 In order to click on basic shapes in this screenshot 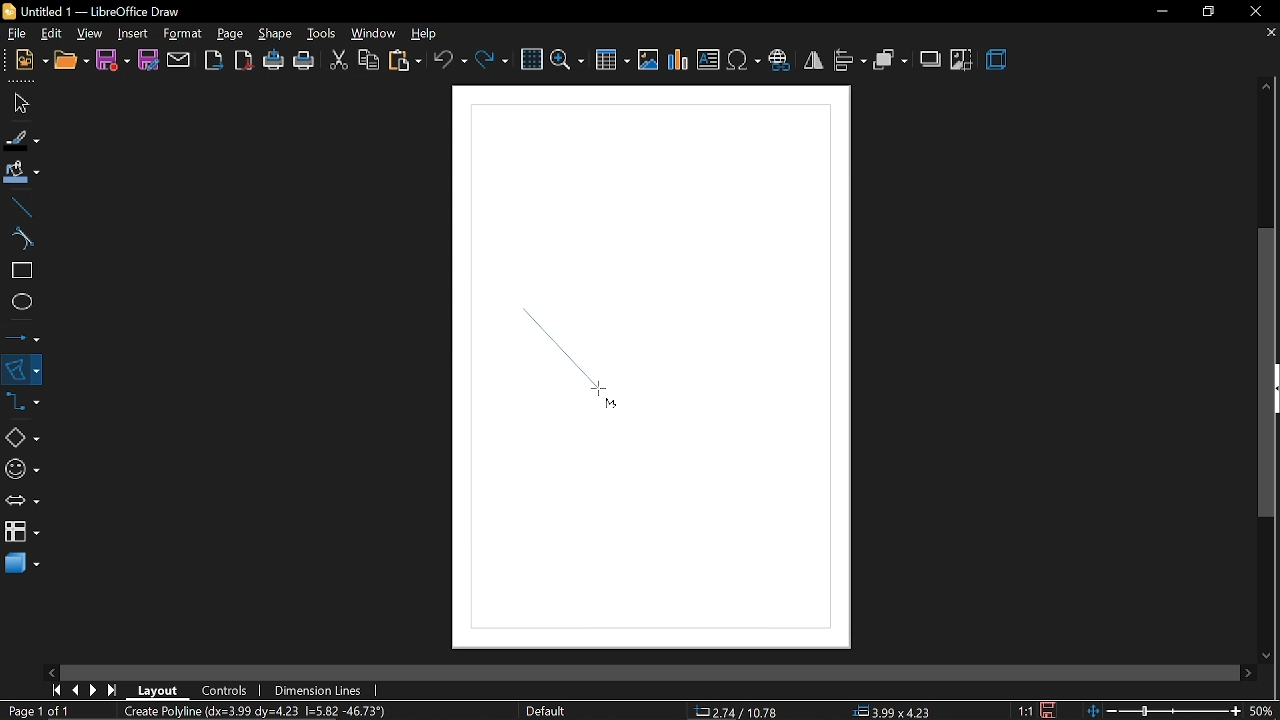, I will do `click(21, 439)`.